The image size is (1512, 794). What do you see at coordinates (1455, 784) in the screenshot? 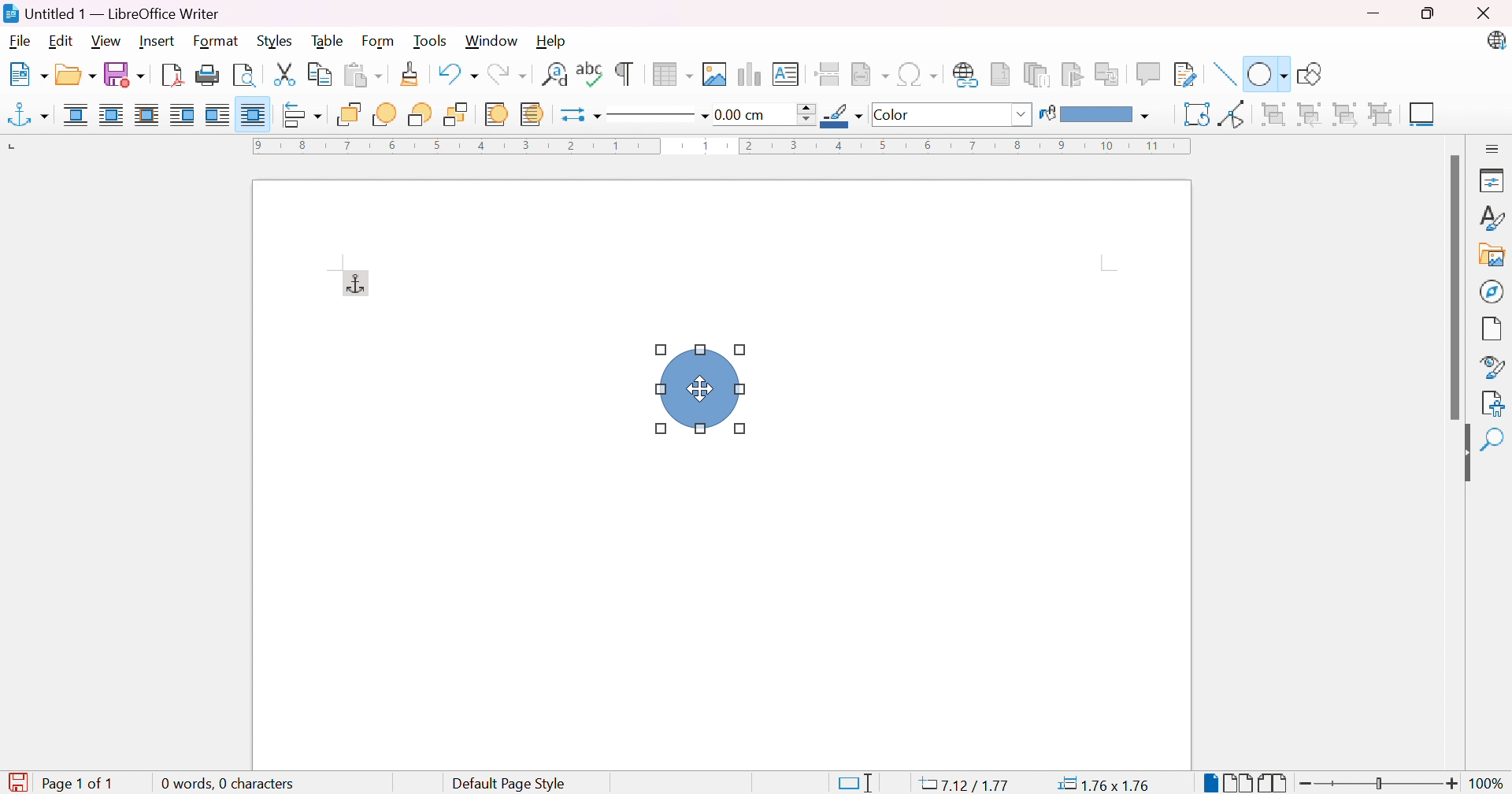
I see `Zoom in` at bounding box center [1455, 784].